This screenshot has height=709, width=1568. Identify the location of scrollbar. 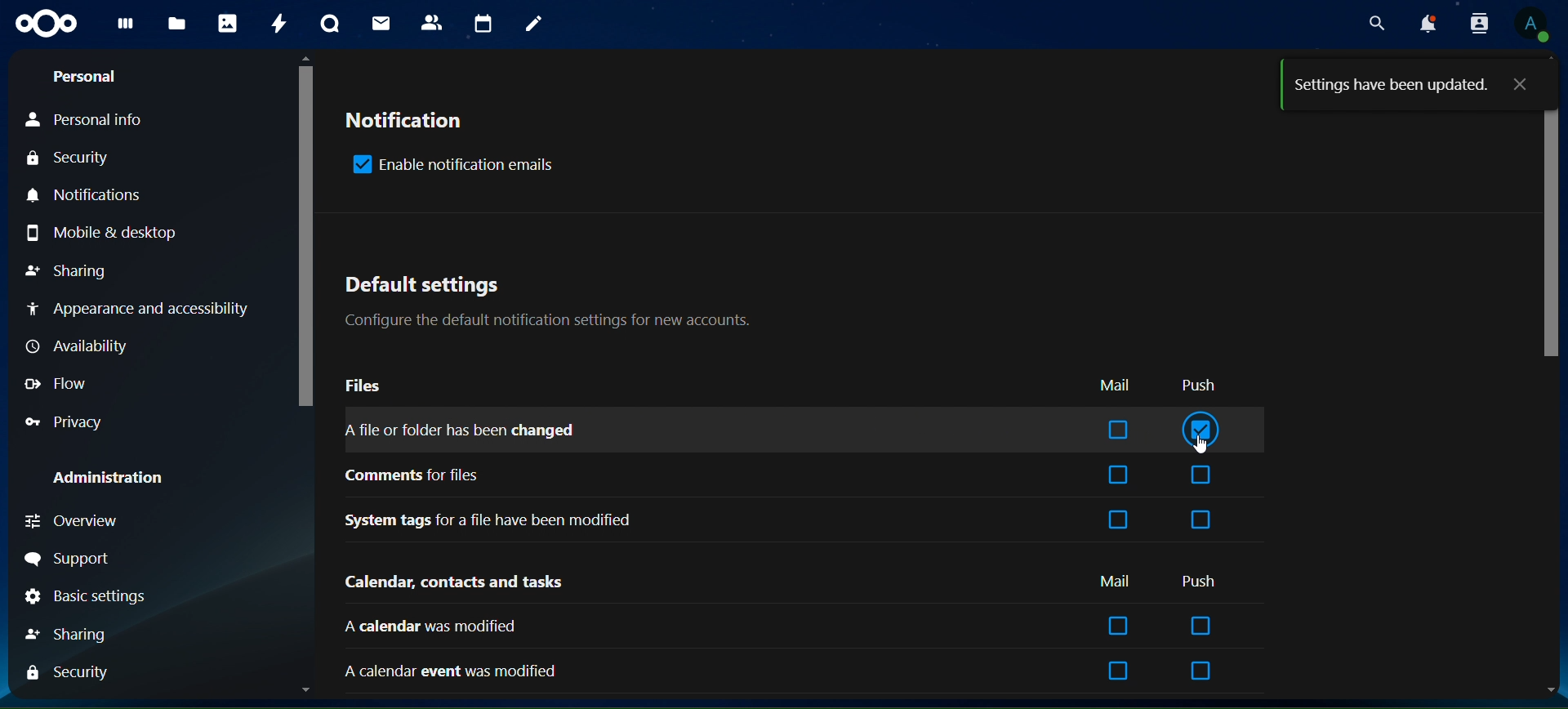
(1550, 212).